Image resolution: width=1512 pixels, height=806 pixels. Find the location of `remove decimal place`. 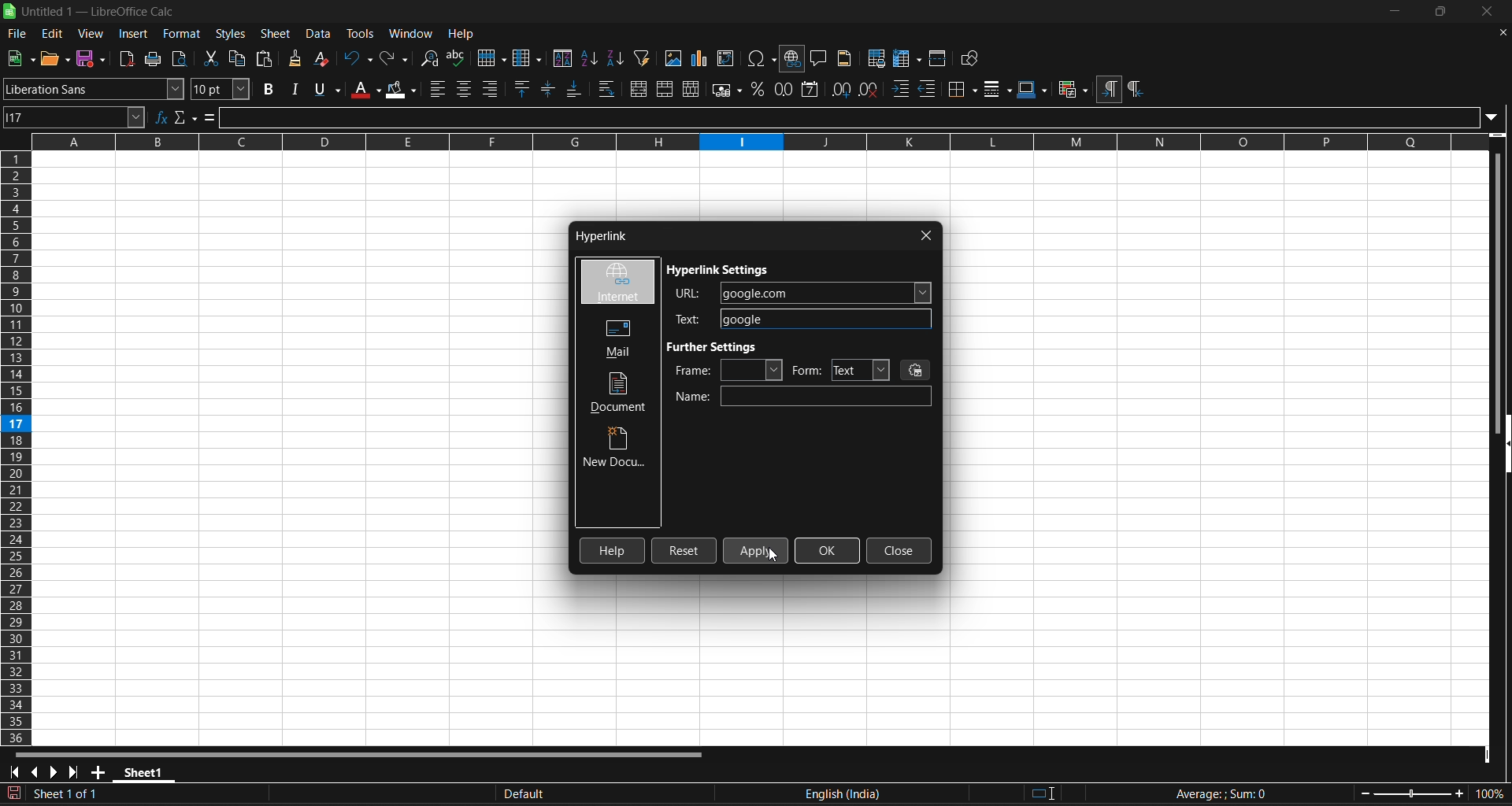

remove decimal place is located at coordinates (870, 90).